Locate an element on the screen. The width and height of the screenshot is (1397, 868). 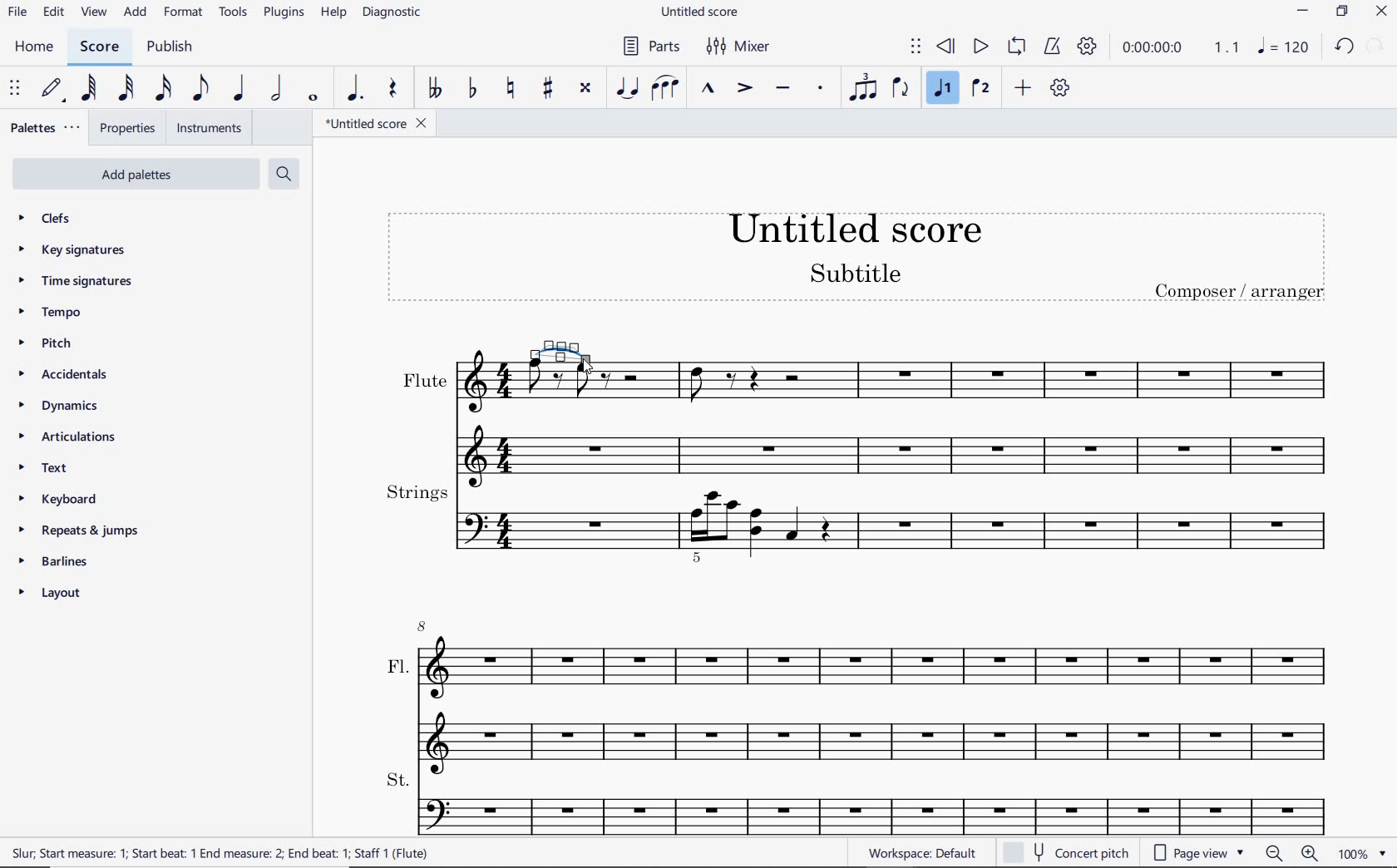
tempo is located at coordinates (52, 313).